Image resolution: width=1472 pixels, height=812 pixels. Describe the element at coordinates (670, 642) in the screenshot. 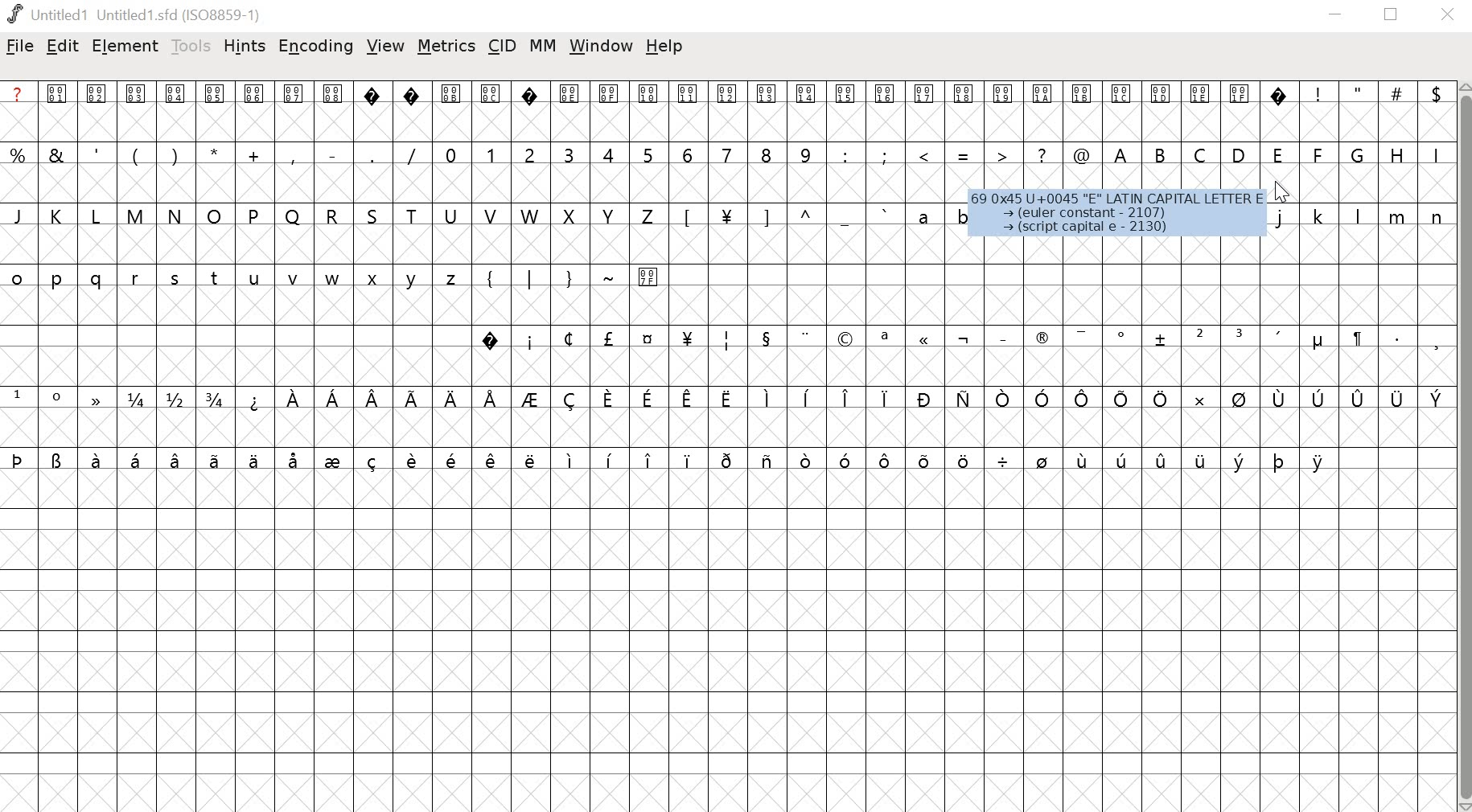

I see `empty cells` at that location.